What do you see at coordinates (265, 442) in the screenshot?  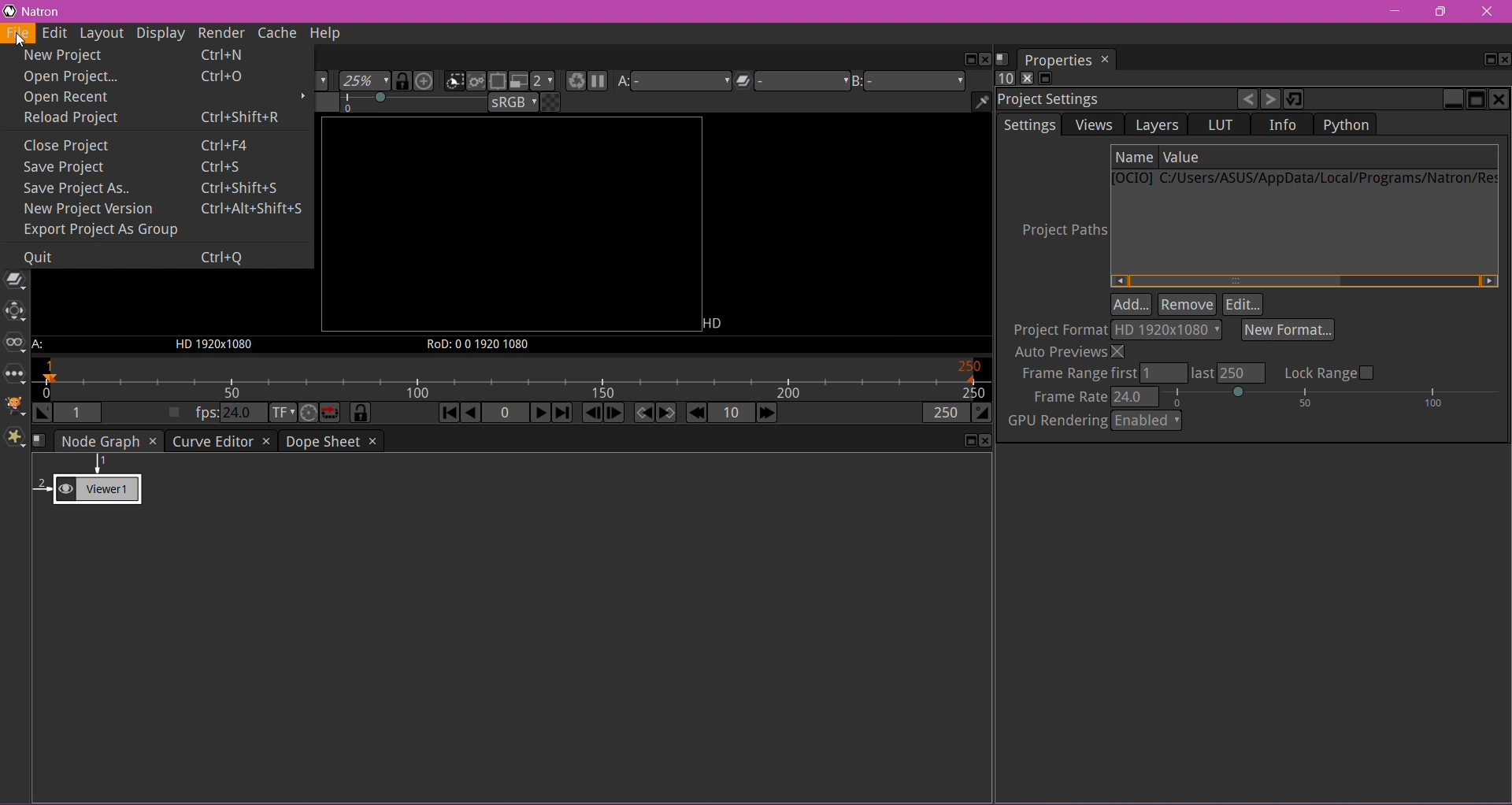 I see `Close Tab` at bounding box center [265, 442].